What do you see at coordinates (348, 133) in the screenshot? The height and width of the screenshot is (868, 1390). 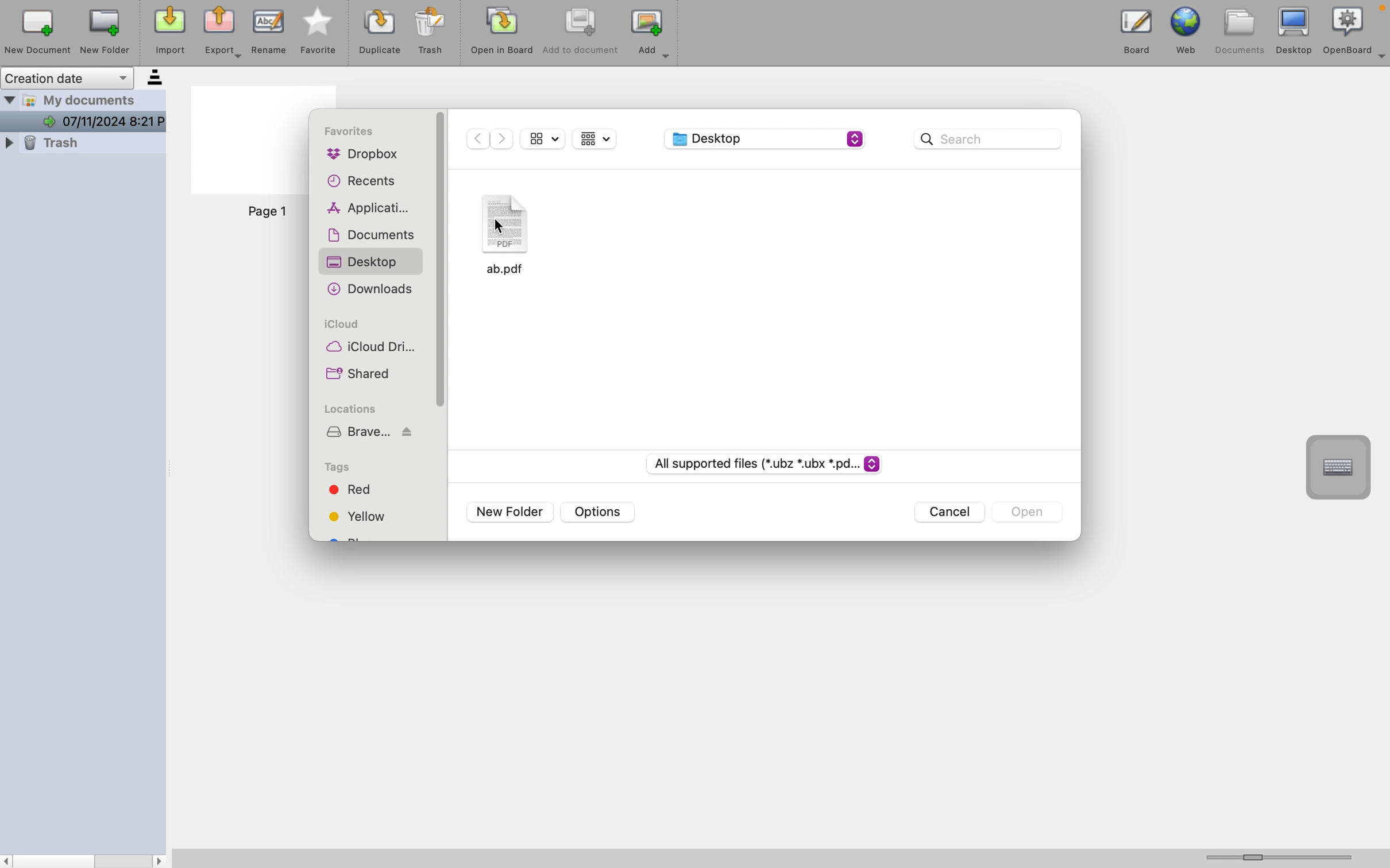 I see `favourites` at bounding box center [348, 133].